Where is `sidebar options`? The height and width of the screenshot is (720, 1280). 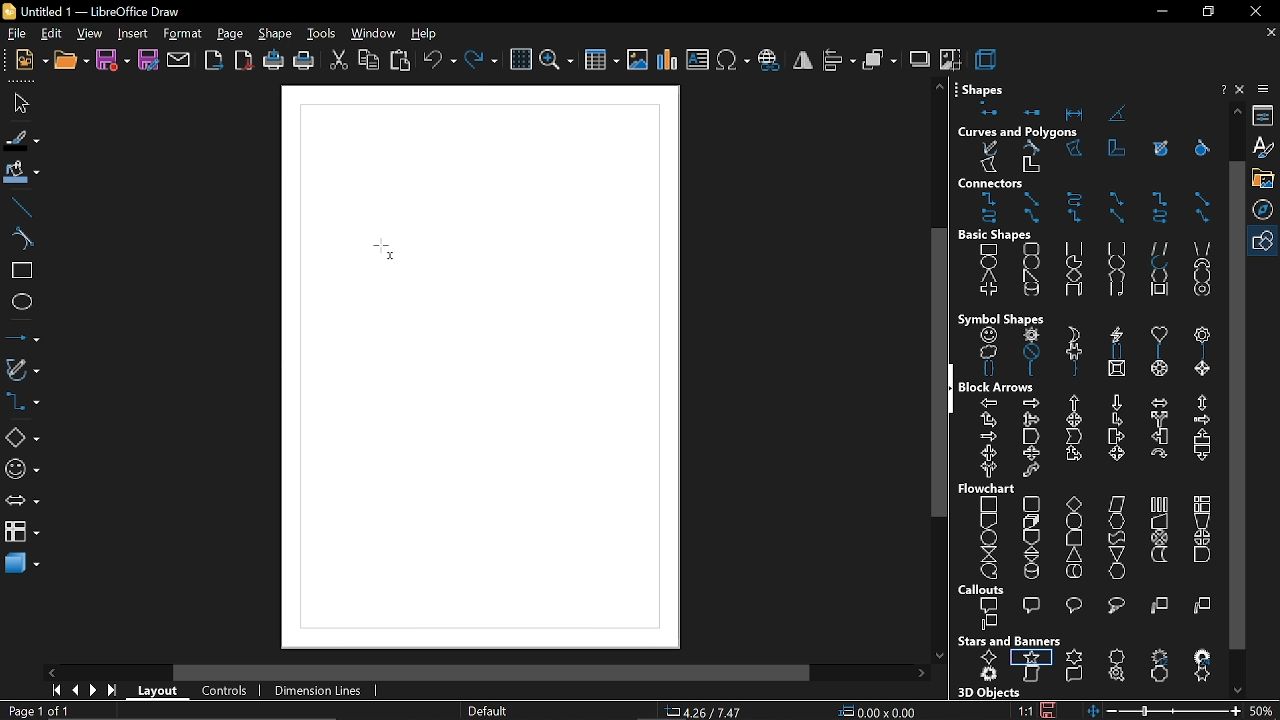
sidebar options is located at coordinates (1266, 89).